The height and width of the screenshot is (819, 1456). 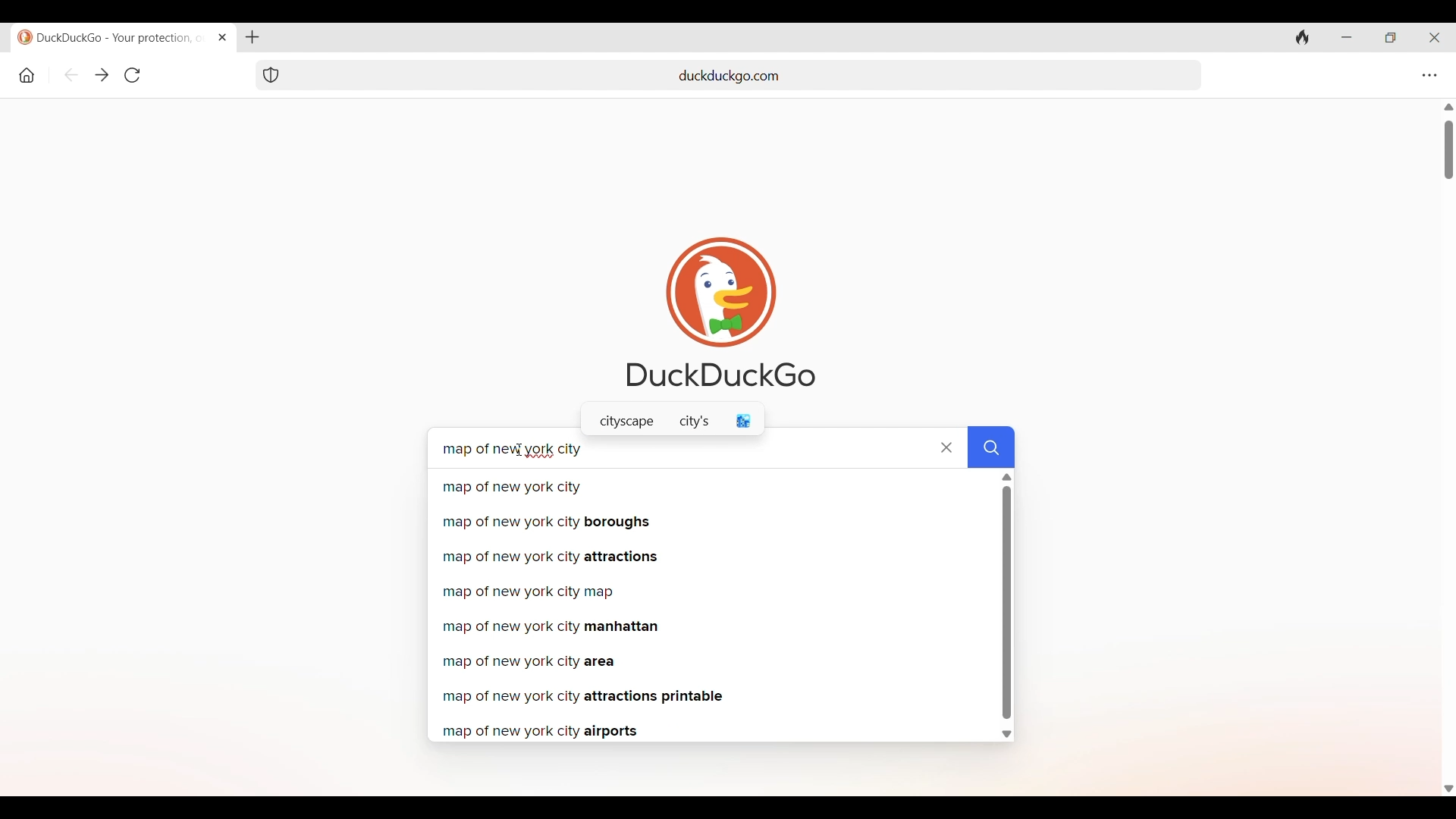 What do you see at coordinates (1346, 37) in the screenshot?
I see `Minimize` at bounding box center [1346, 37].